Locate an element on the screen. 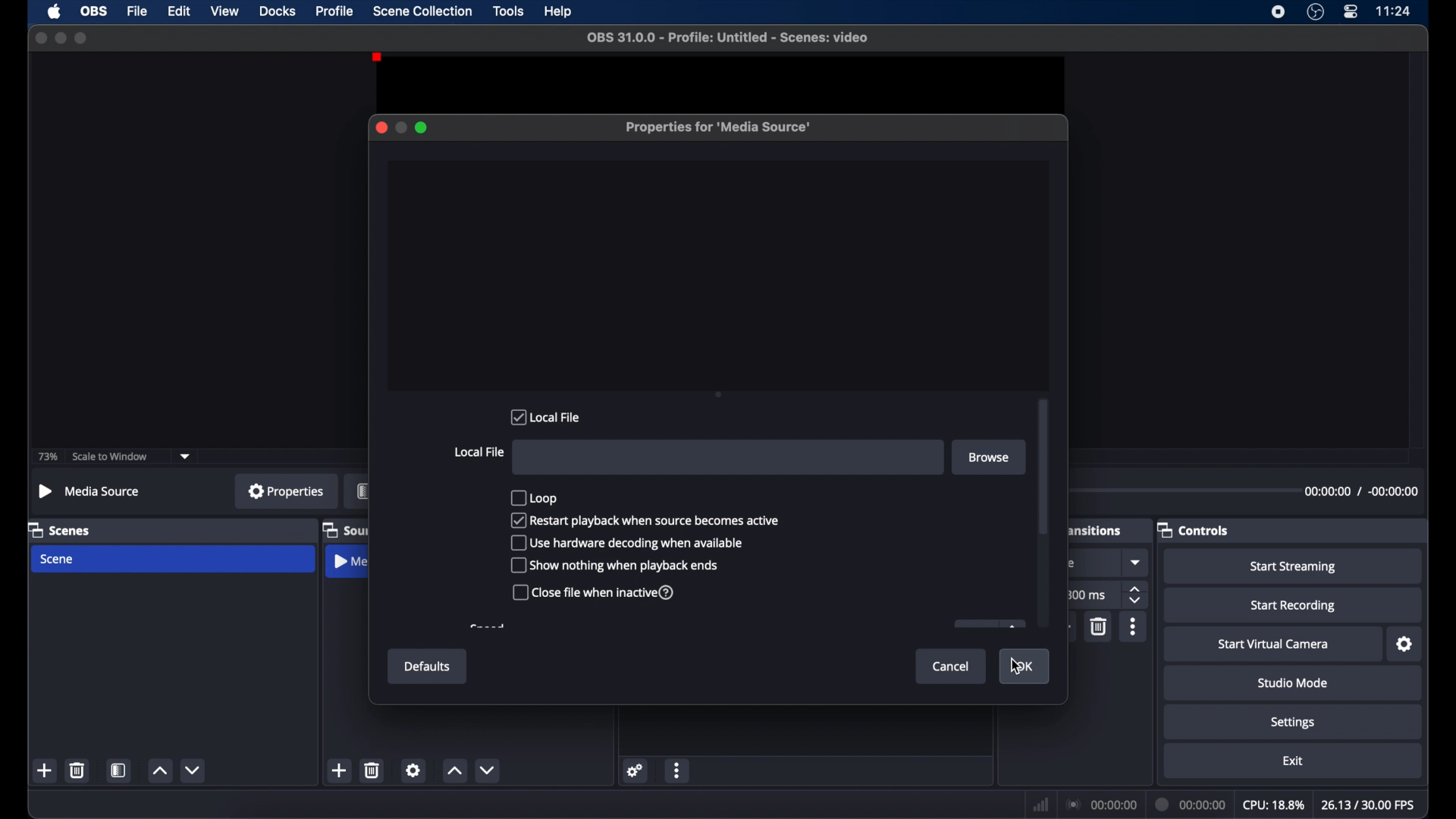 The image size is (1456, 819). help is located at coordinates (559, 11).